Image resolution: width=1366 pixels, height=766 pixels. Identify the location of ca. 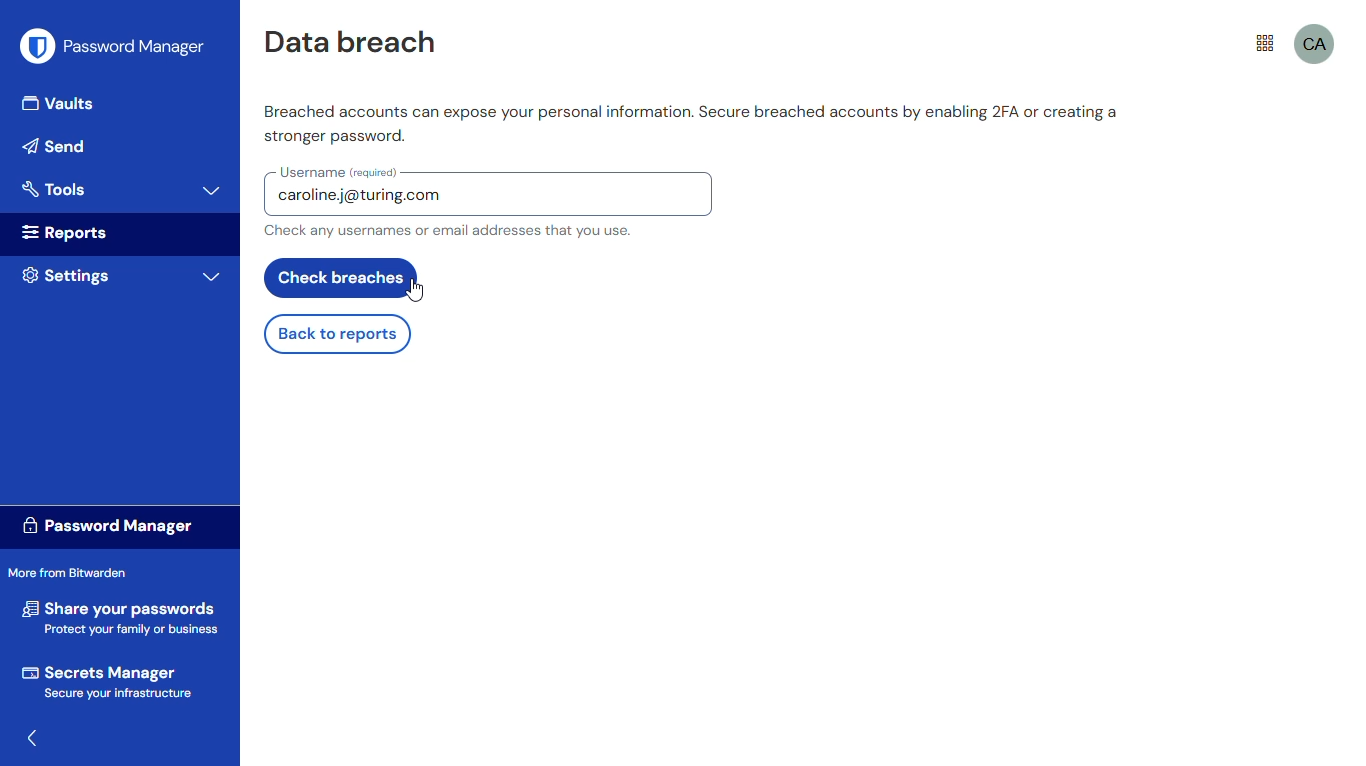
(1315, 43).